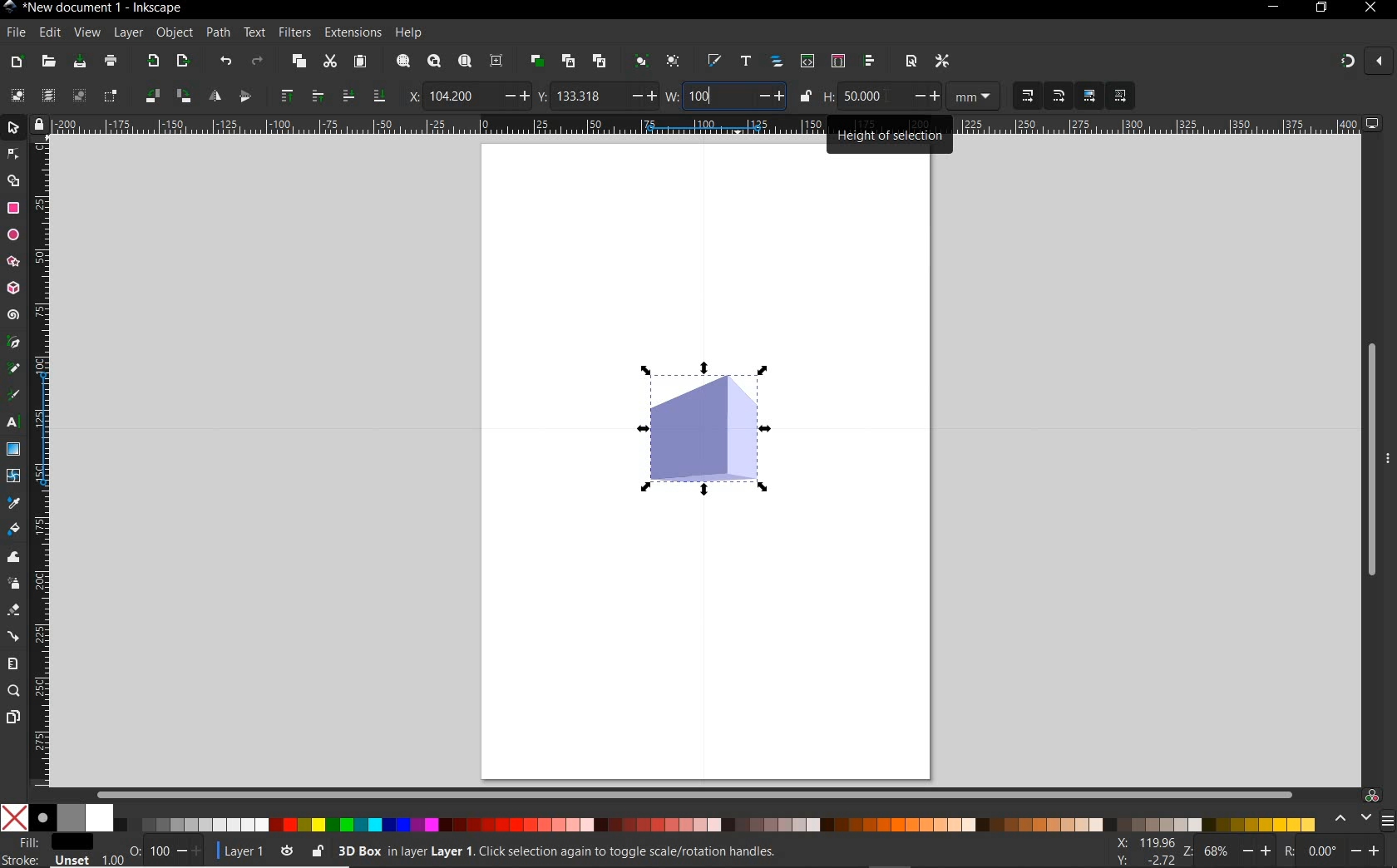 This screenshot has height=868, width=1397. Describe the element at coordinates (536, 62) in the screenshot. I see `duplicate` at that location.